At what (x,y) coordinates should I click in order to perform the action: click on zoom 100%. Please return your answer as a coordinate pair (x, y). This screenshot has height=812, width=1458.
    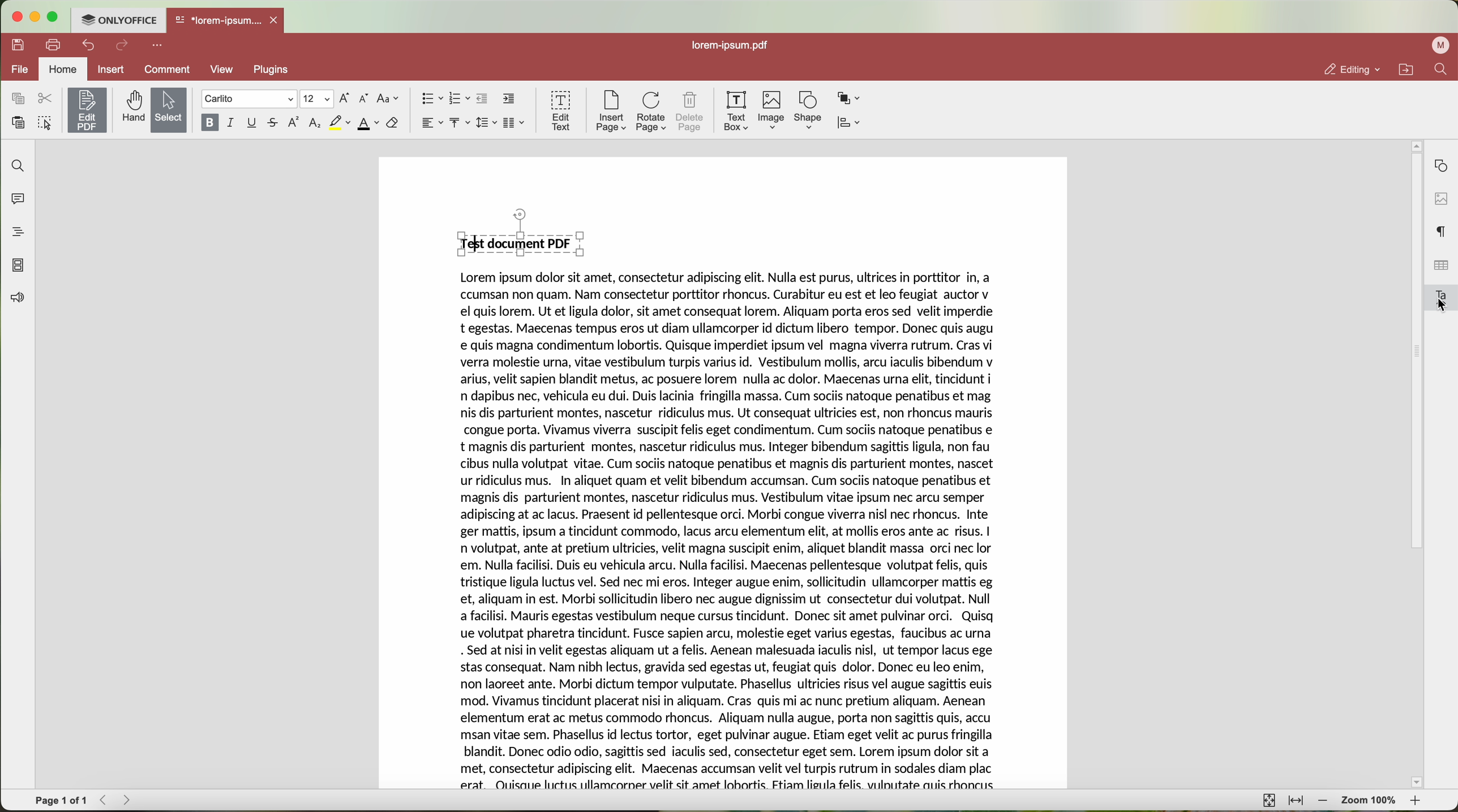
    Looking at the image, I should click on (1370, 801).